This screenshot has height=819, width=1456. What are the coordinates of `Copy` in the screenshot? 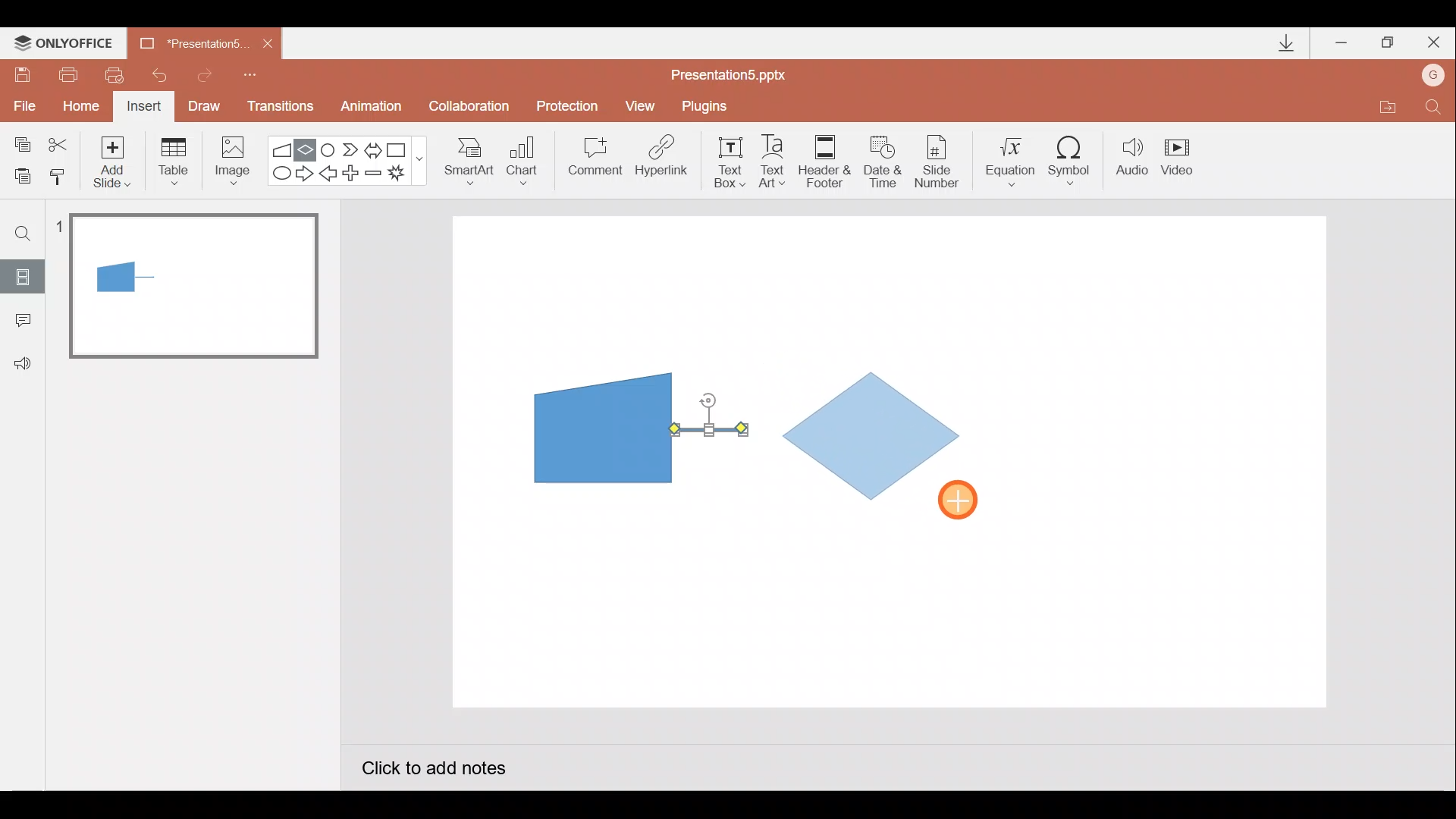 It's located at (20, 142).